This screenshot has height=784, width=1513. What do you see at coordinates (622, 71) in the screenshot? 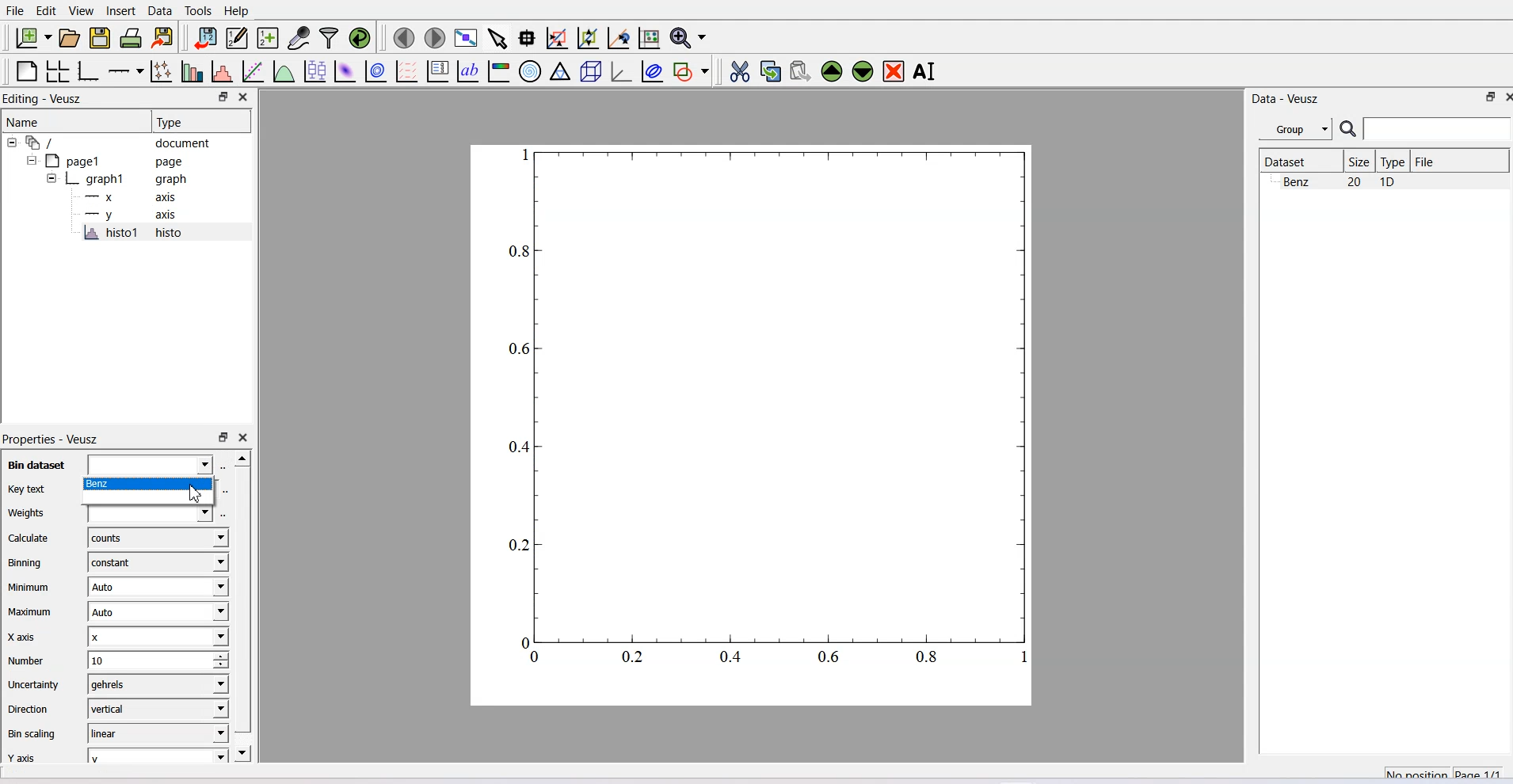
I see `3D Graph` at bounding box center [622, 71].